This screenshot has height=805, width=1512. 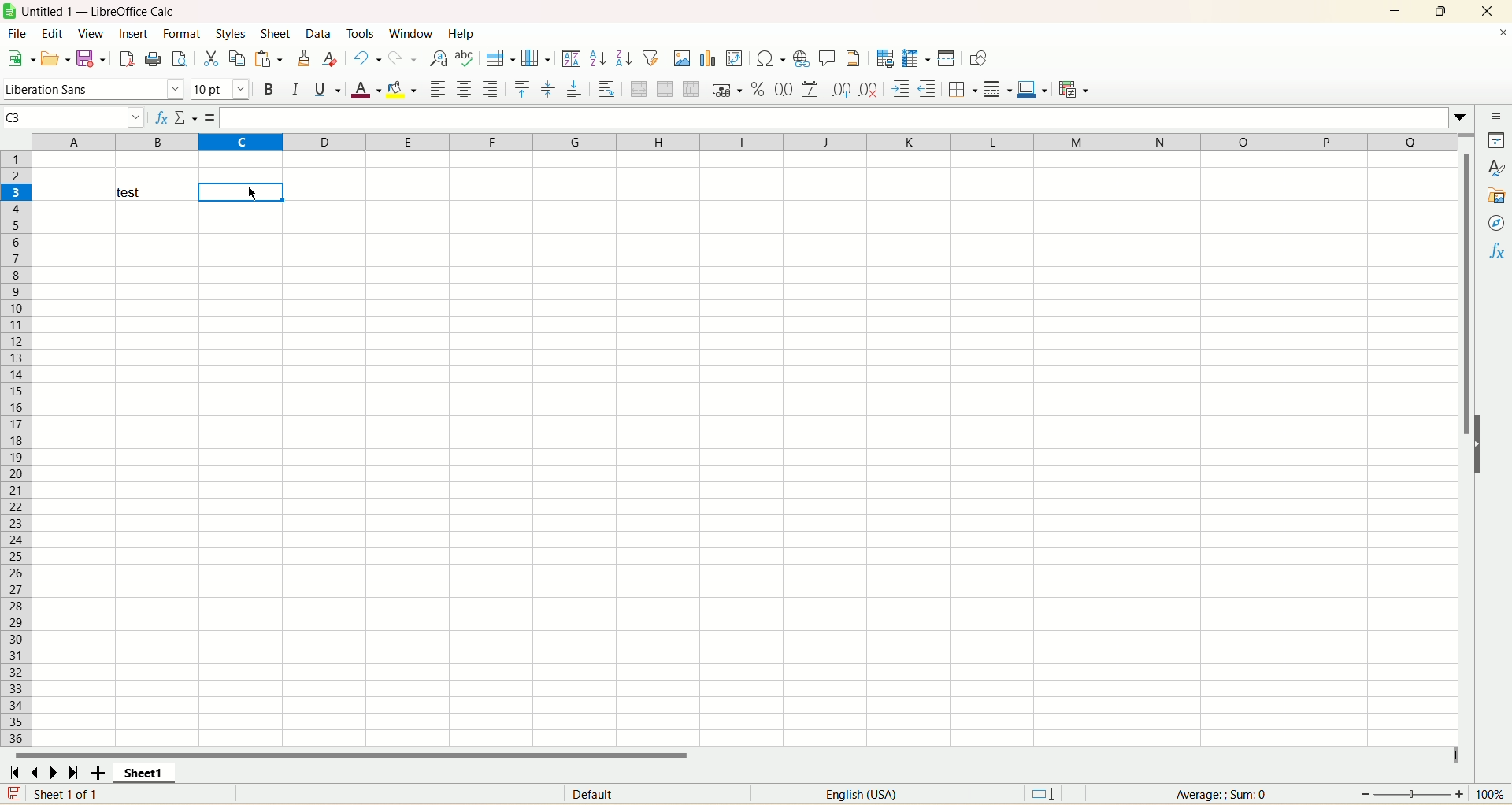 I want to click on insert comment, so click(x=828, y=58).